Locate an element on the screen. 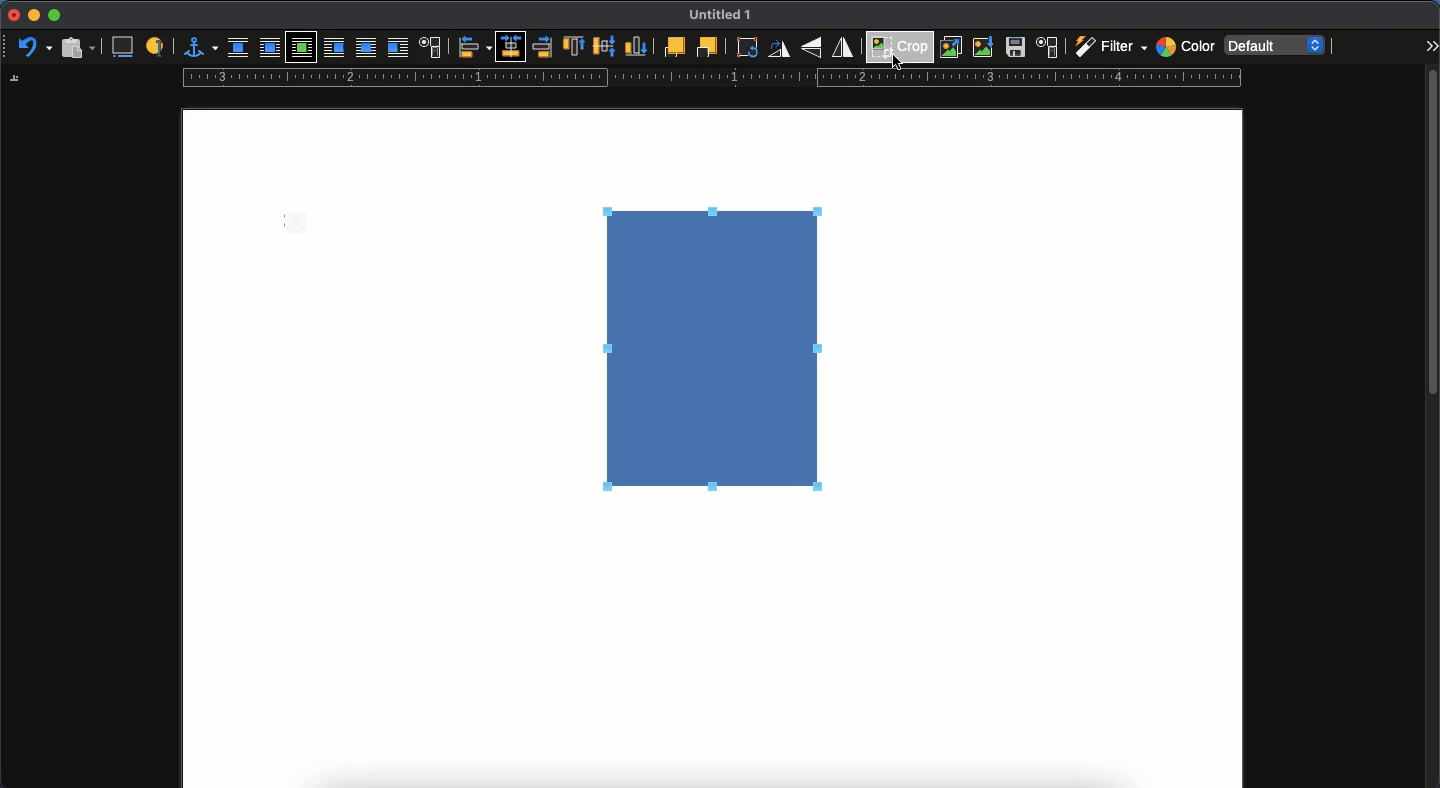  text wrap is located at coordinates (431, 49).